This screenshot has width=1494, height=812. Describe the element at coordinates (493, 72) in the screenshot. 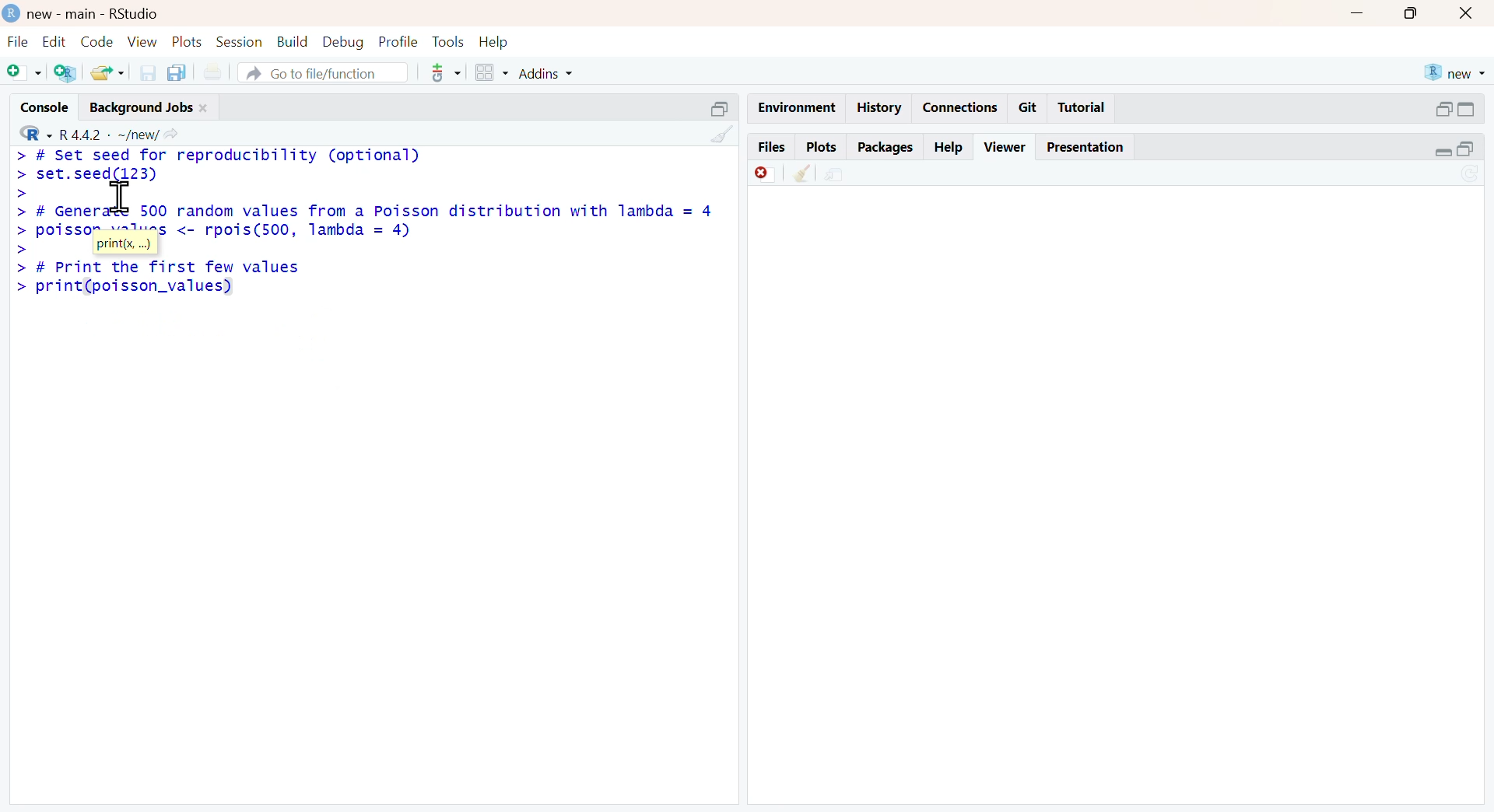

I see `grid` at that location.